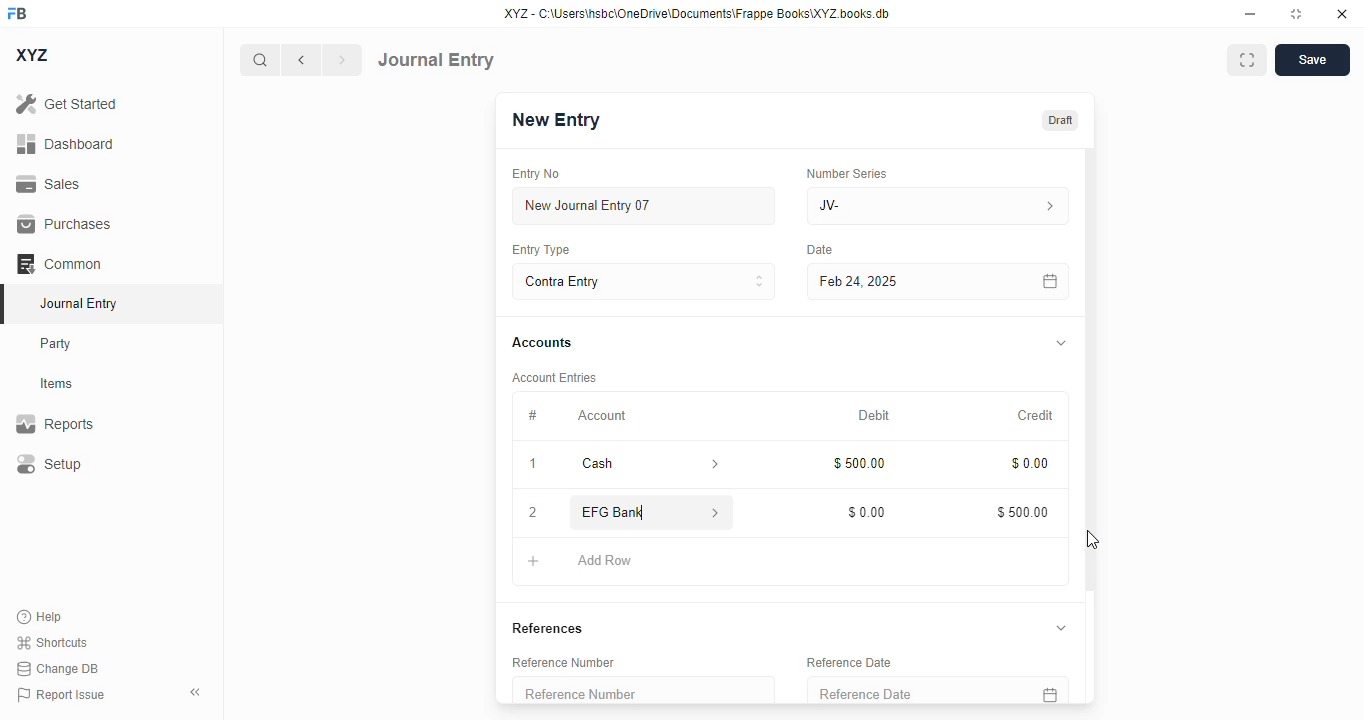 The width and height of the screenshot is (1364, 720). I want to click on party, so click(58, 344).